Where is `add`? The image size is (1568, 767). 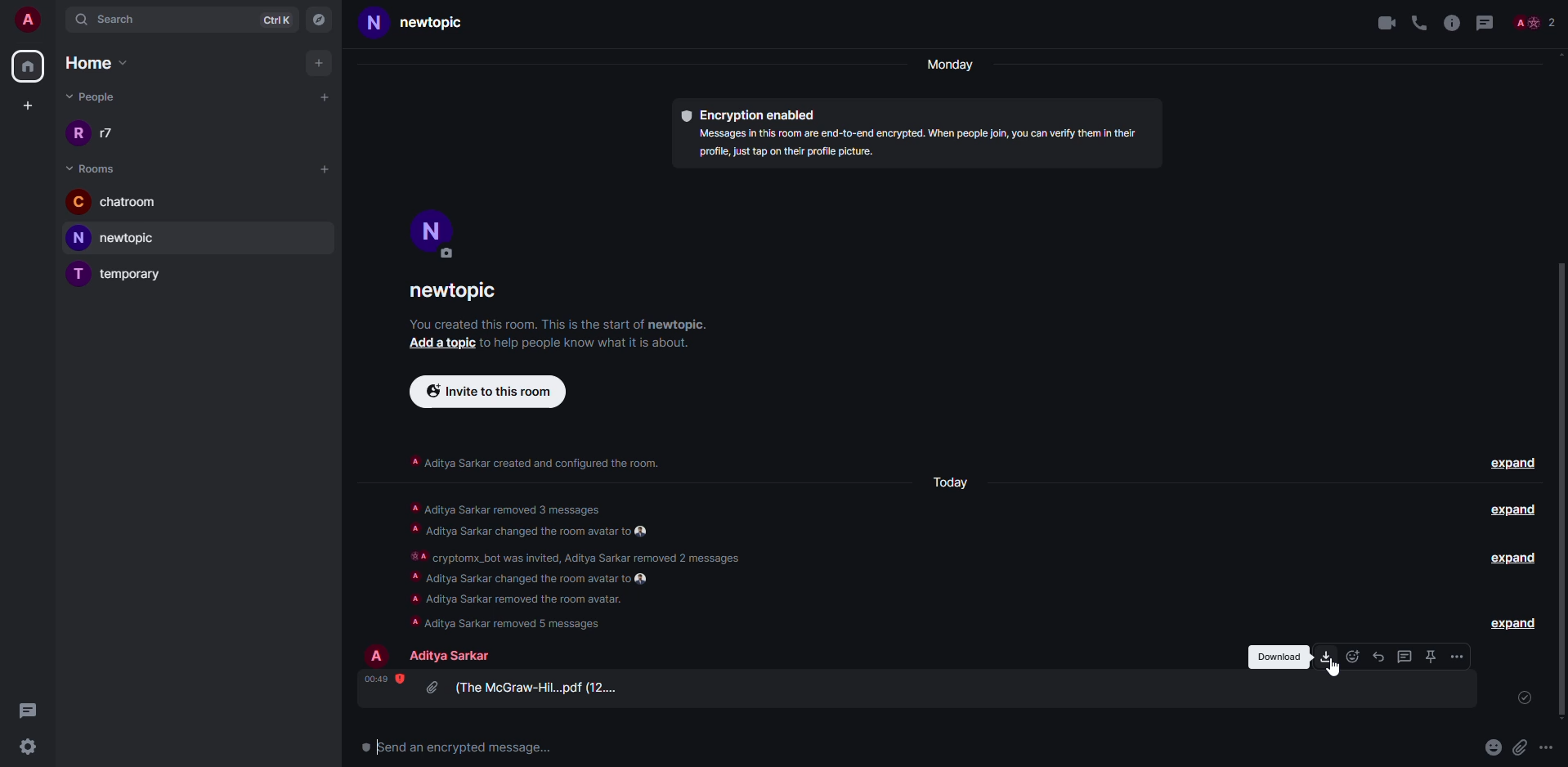
add is located at coordinates (318, 61).